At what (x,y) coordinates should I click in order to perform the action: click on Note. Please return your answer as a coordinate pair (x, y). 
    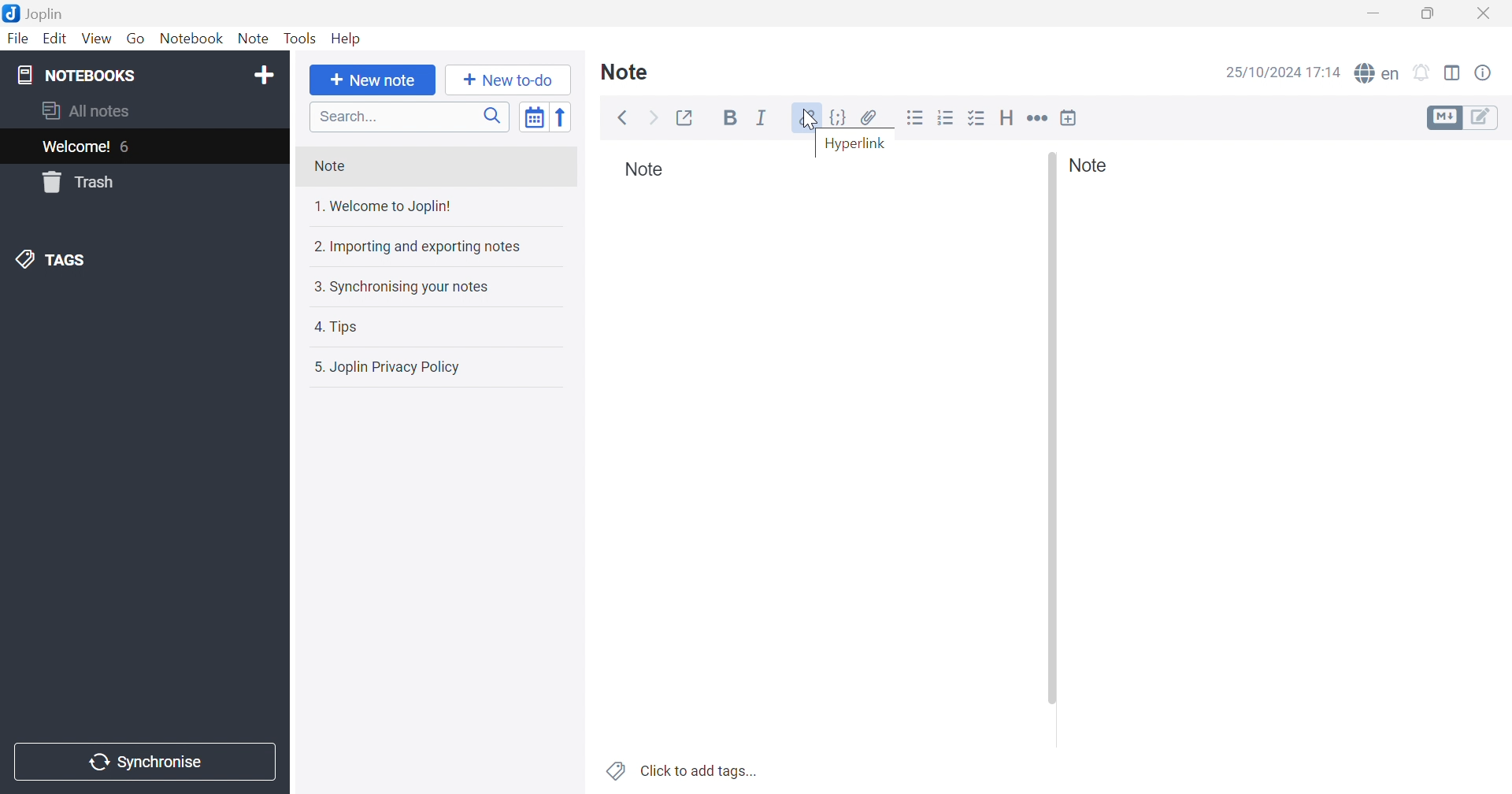
    Looking at the image, I should click on (1094, 165).